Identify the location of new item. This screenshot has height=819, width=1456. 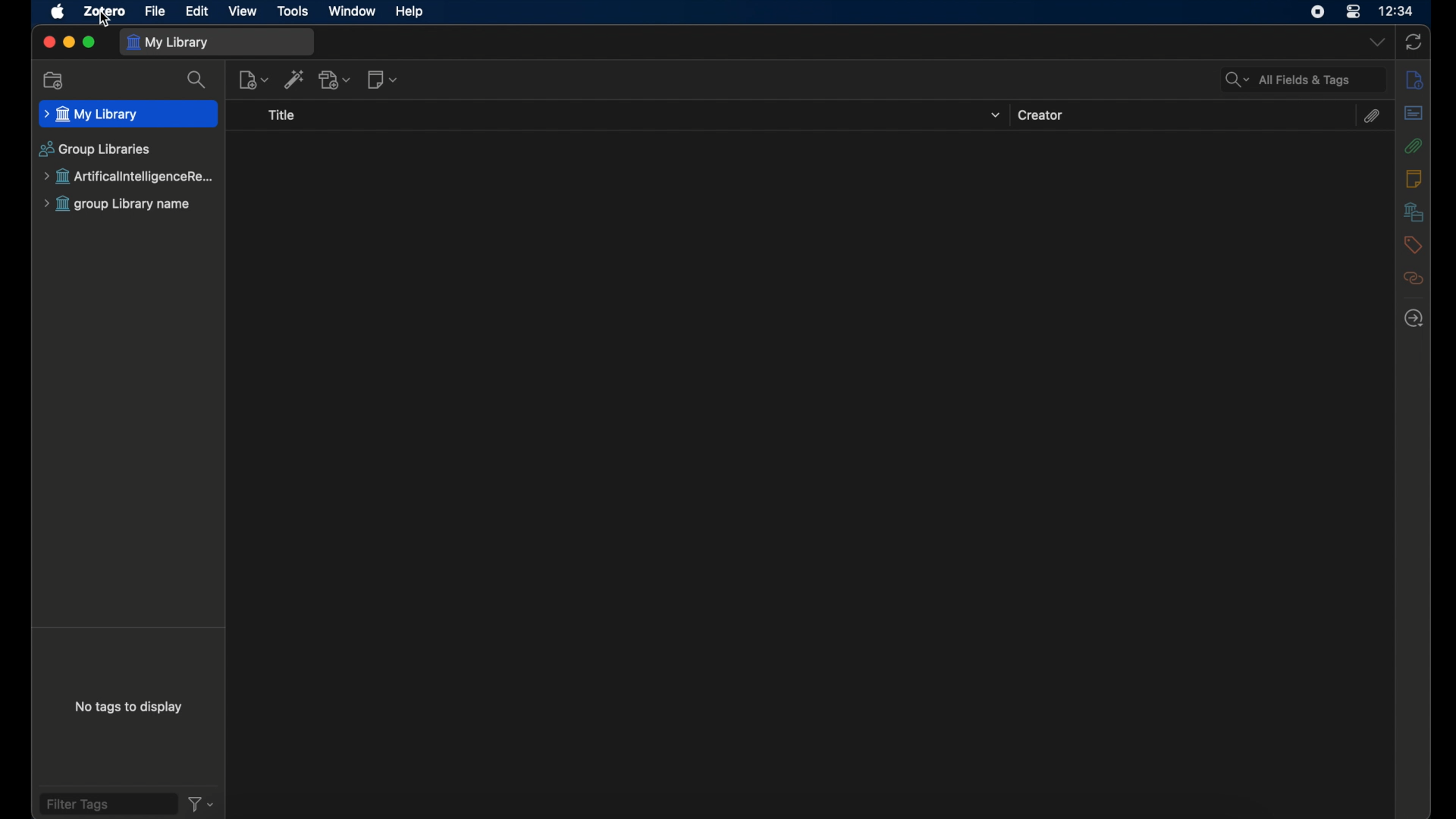
(254, 80).